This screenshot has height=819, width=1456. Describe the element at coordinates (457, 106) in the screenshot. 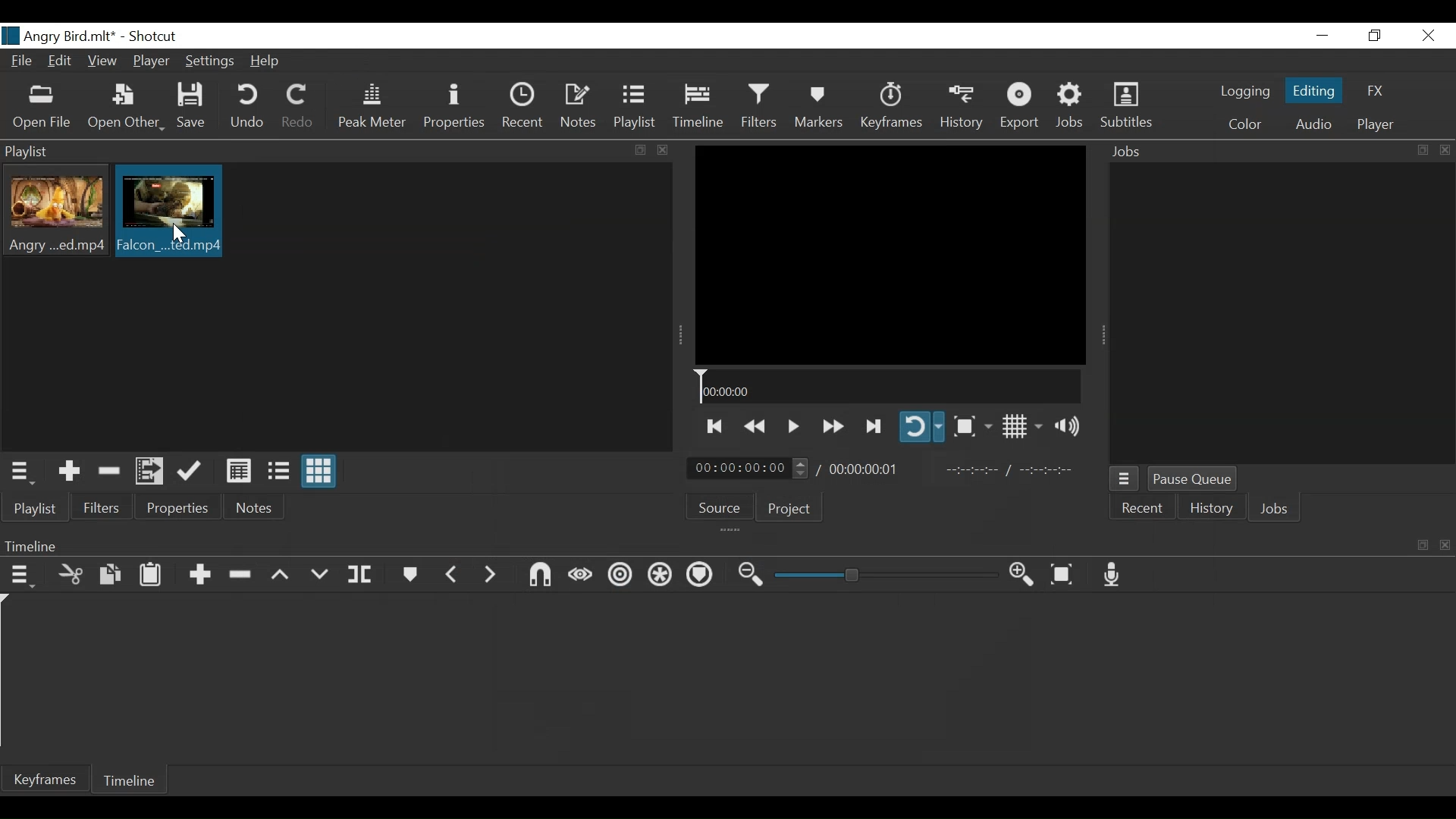

I see `Properties` at that location.